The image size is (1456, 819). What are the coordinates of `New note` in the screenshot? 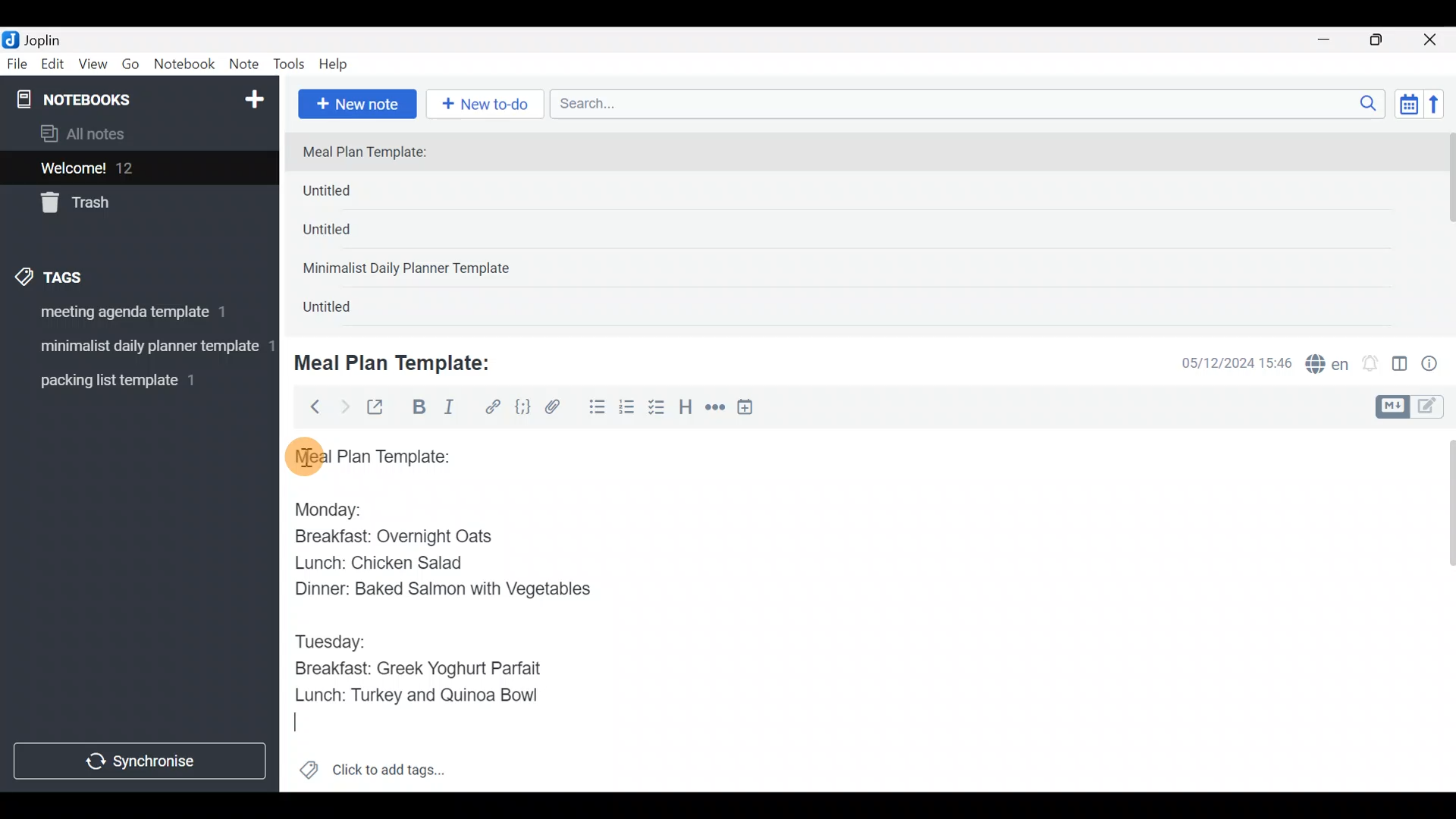 It's located at (356, 102).